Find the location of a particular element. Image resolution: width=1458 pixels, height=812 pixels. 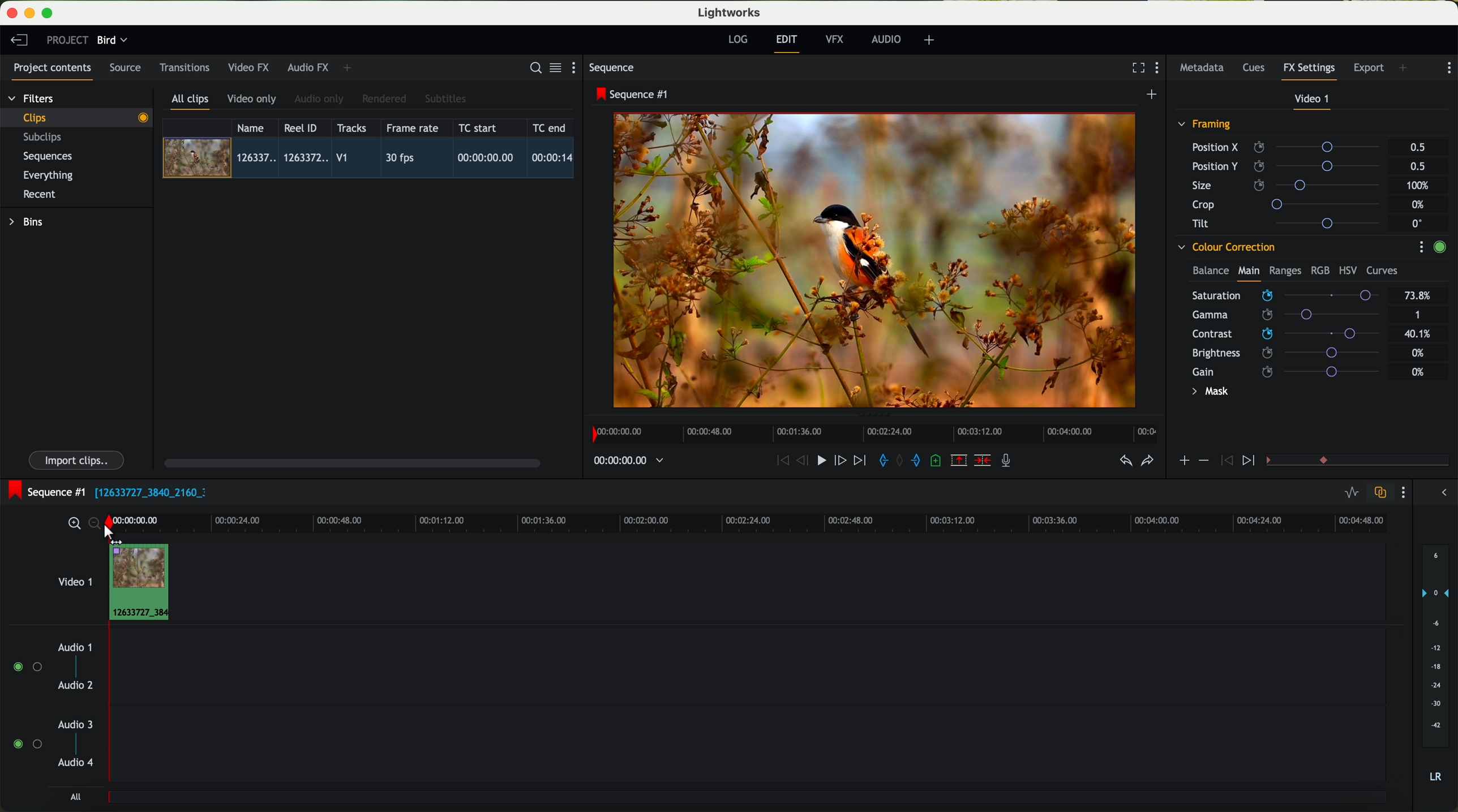

size is located at coordinates (1289, 186).